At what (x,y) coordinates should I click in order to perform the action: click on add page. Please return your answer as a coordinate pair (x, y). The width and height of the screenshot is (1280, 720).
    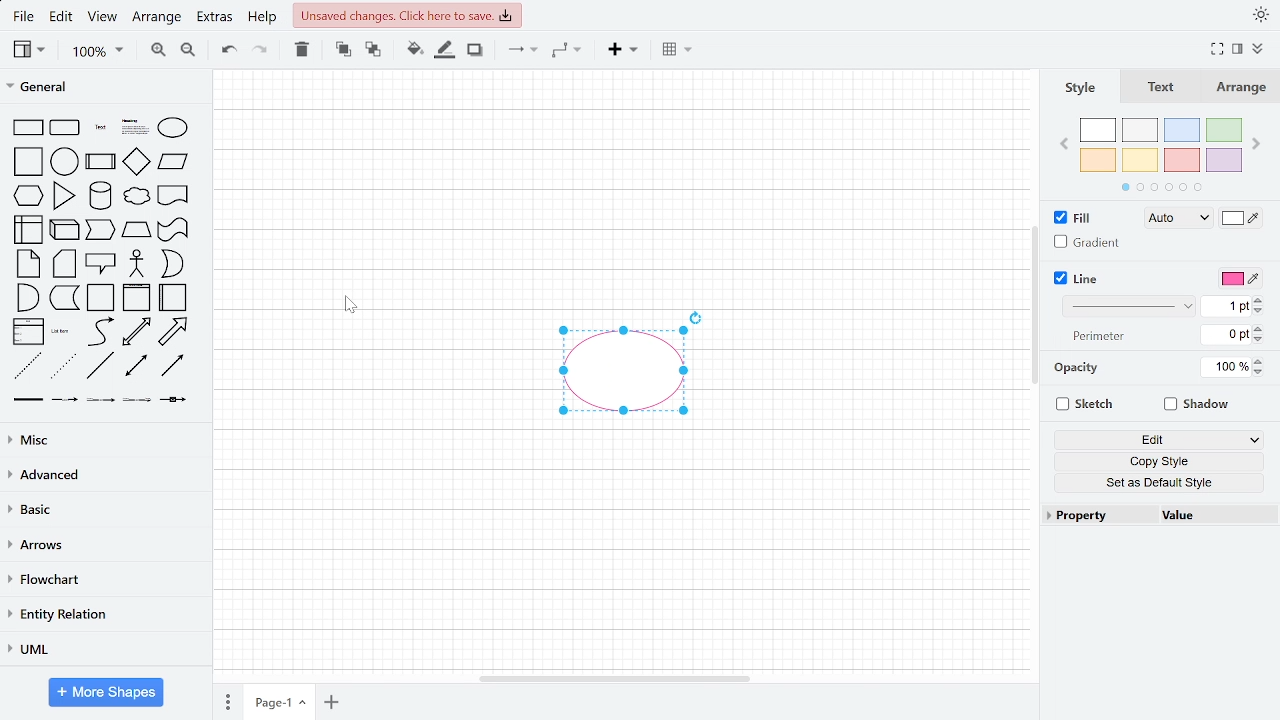
    Looking at the image, I should click on (334, 703).